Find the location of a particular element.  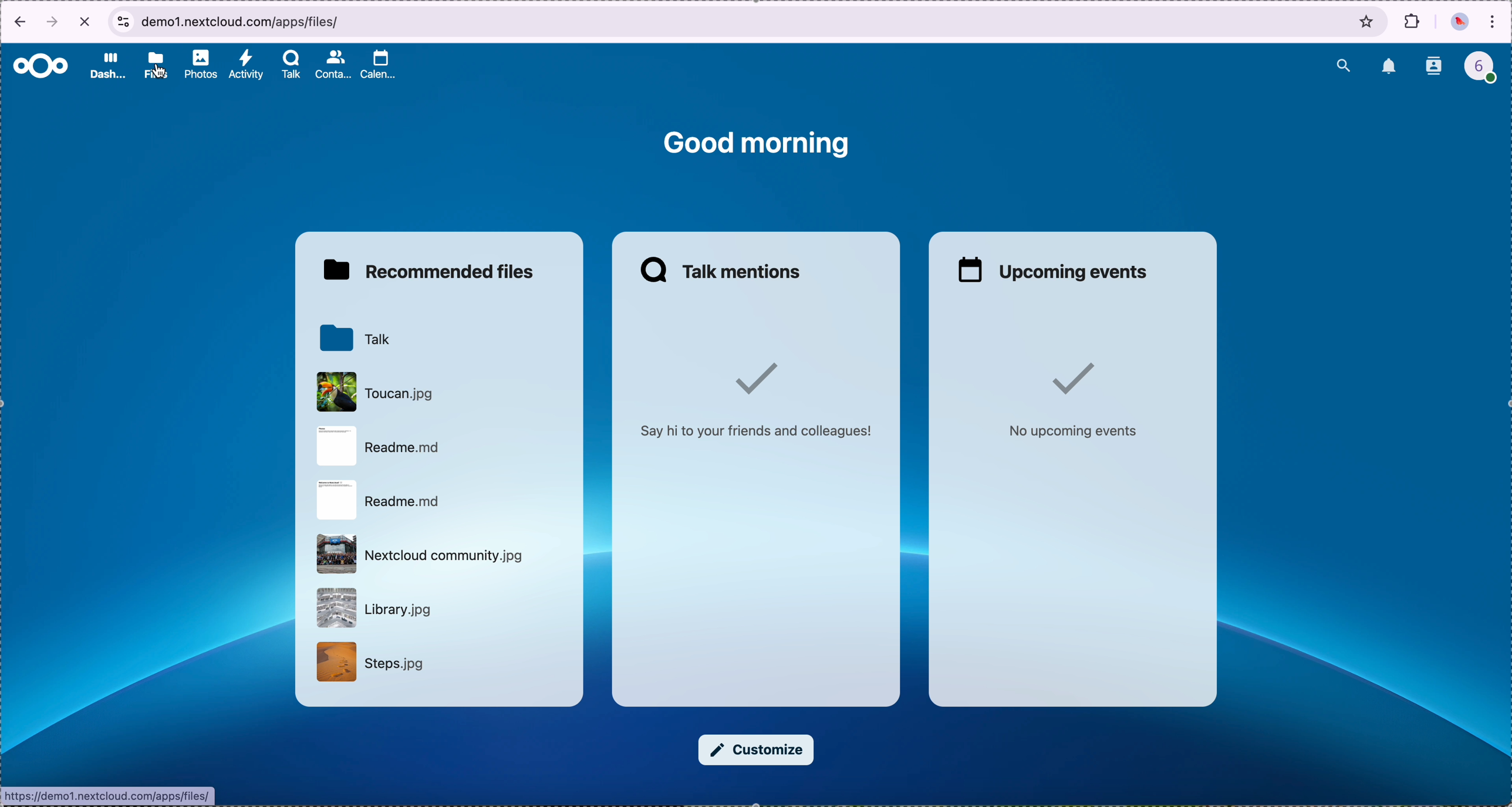

cancel is located at coordinates (87, 21).